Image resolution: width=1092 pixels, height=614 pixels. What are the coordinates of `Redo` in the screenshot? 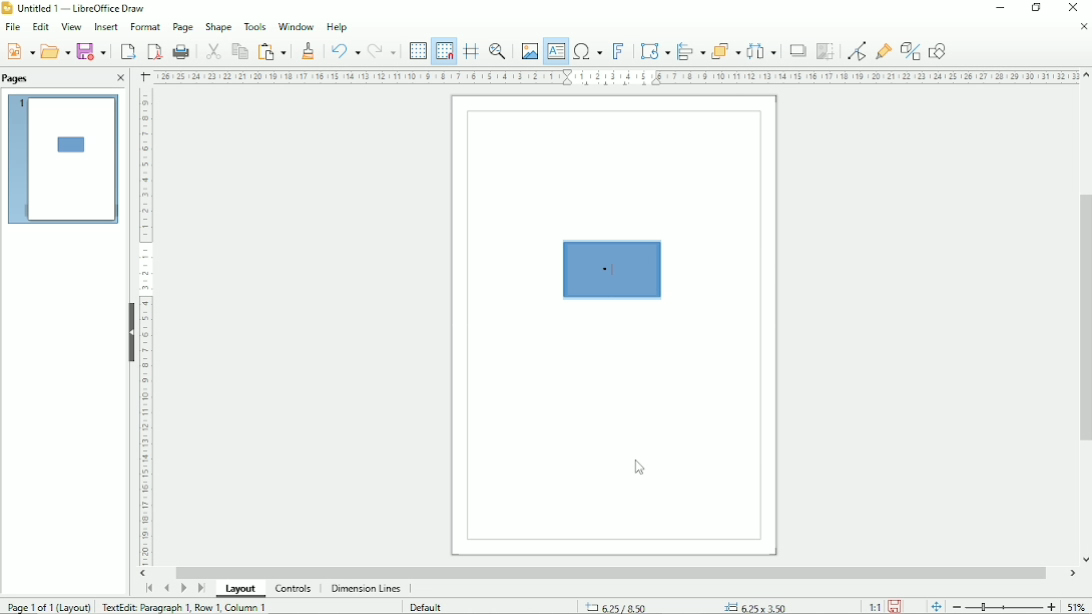 It's located at (384, 51).